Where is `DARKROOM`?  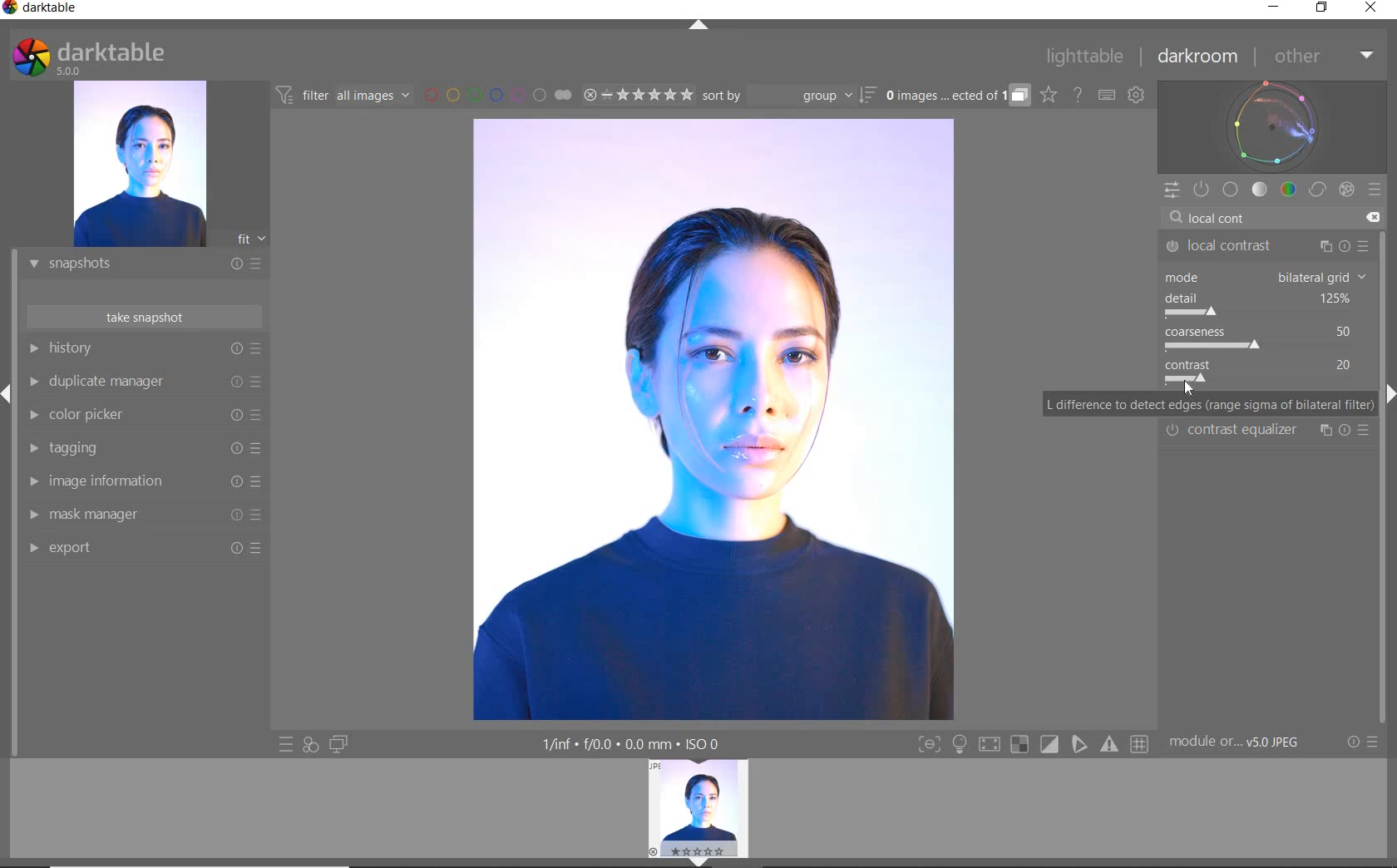 DARKROOM is located at coordinates (1198, 57).